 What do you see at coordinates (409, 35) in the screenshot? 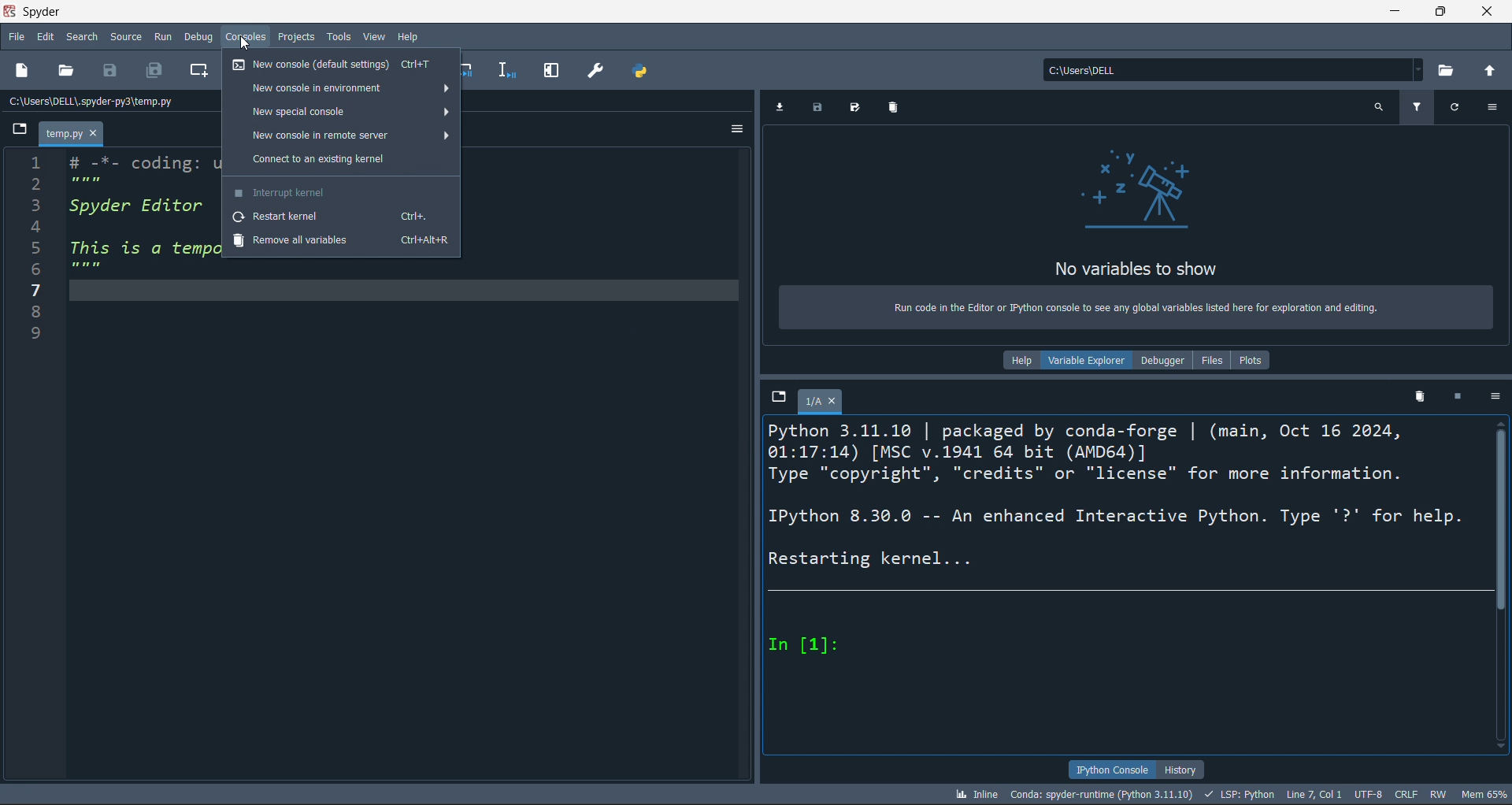
I see `help` at bounding box center [409, 35].